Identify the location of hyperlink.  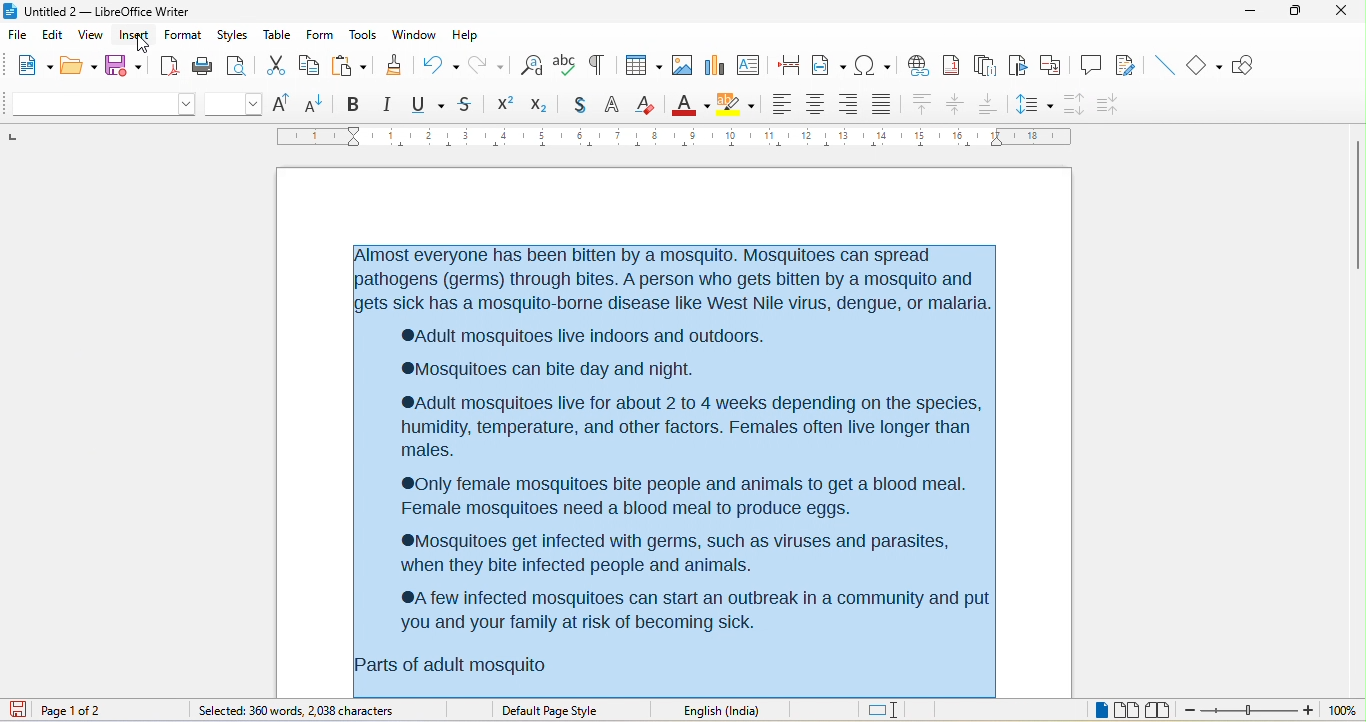
(919, 66).